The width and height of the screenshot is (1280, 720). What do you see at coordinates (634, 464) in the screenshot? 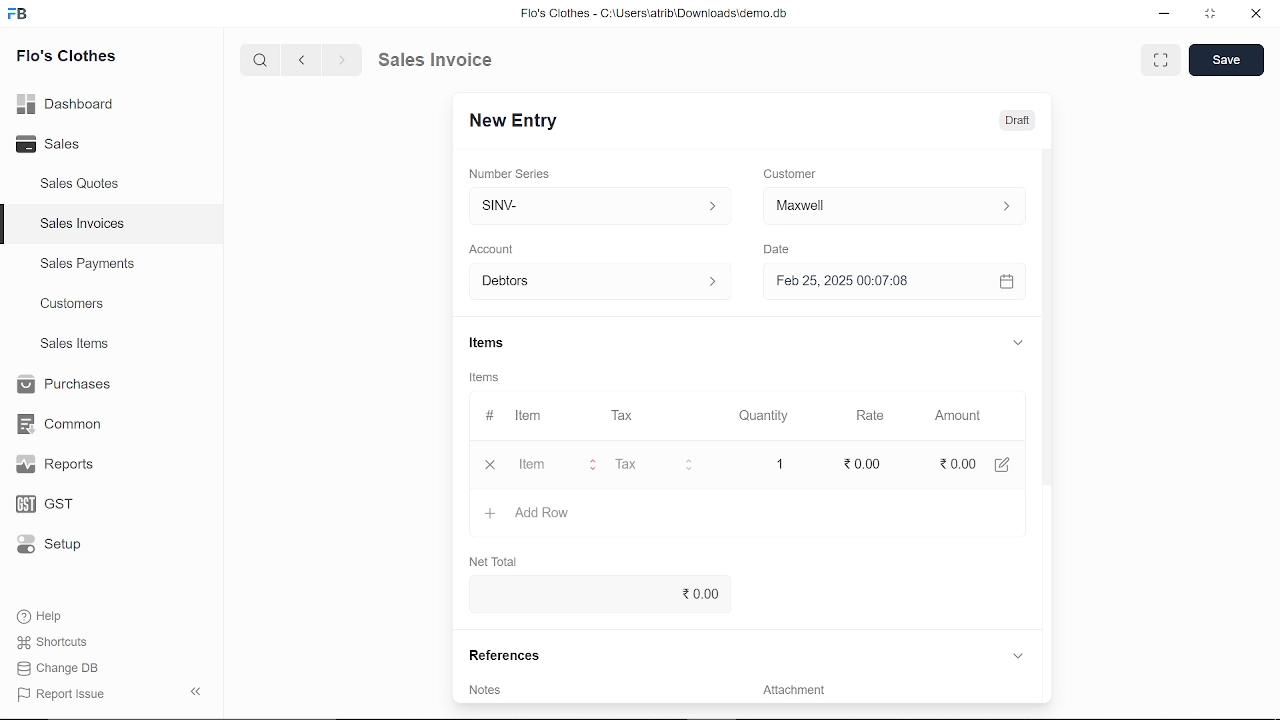
I see `Tax` at bounding box center [634, 464].